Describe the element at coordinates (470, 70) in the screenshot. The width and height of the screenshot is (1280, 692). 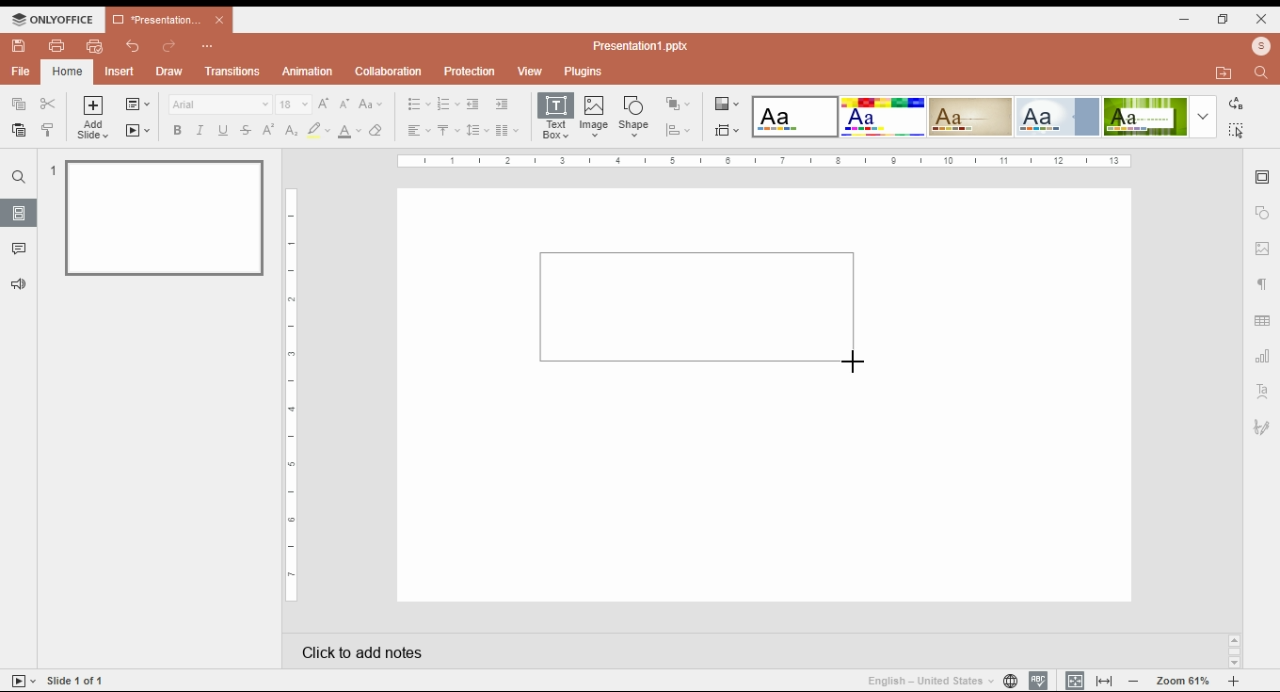
I see `protection` at that location.